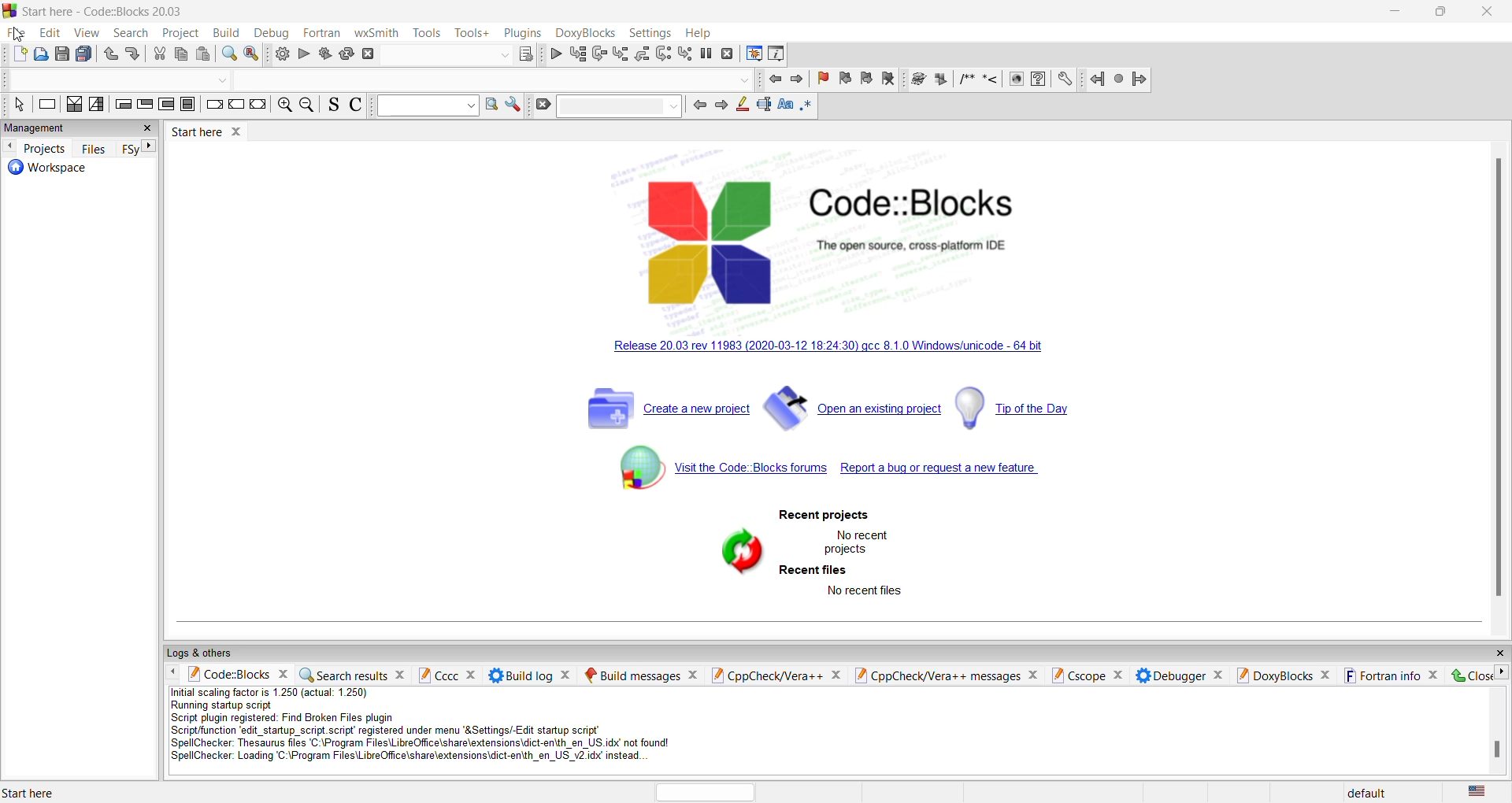  What do you see at coordinates (910, 246) in the screenshot?
I see `The open source, cross-platform IDE` at bounding box center [910, 246].